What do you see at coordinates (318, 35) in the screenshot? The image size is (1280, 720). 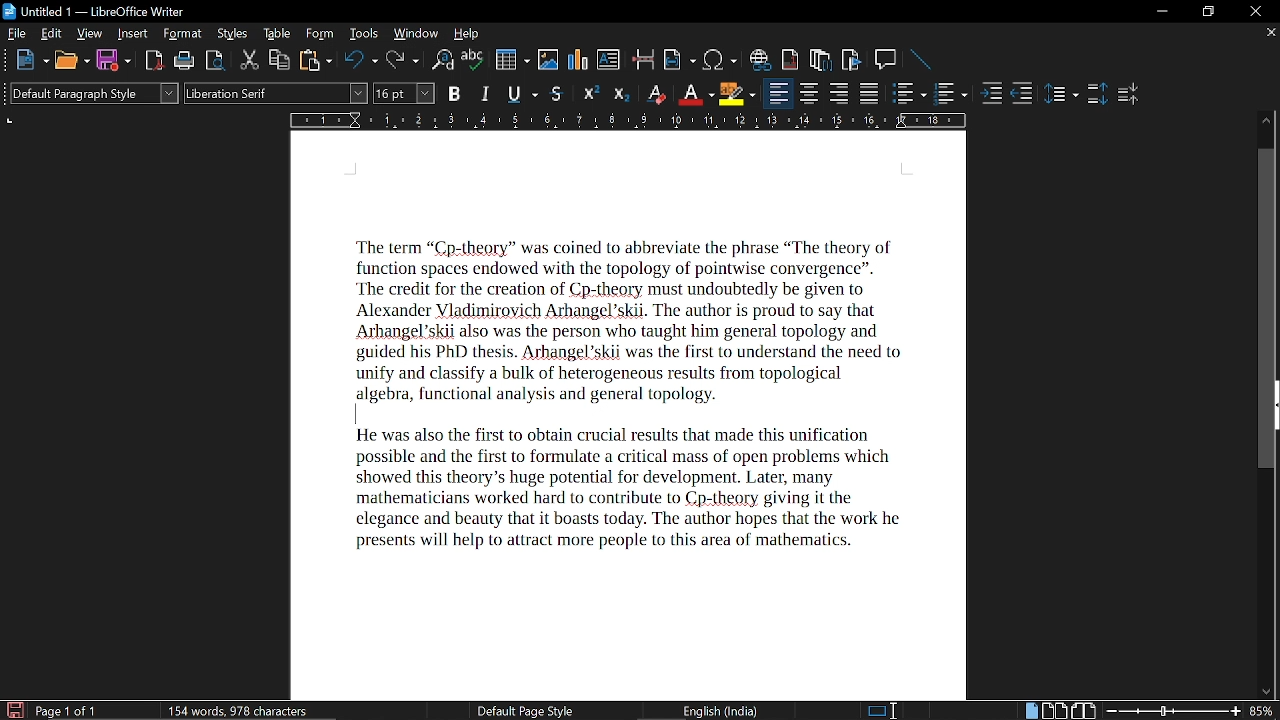 I see `Form` at bounding box center [318, 35].